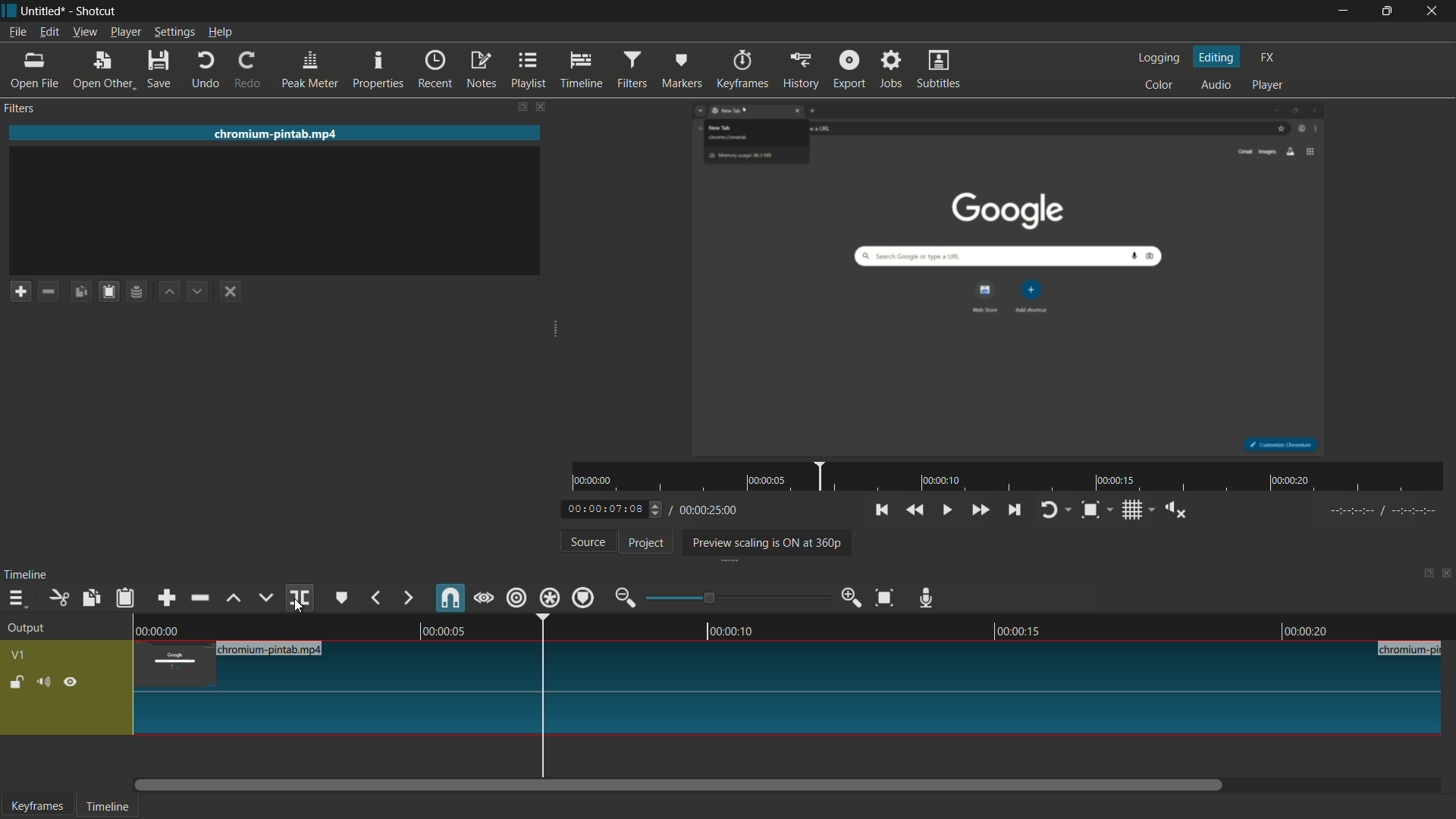  What do you see at coordinates (105, 808) in the screenshot?
I see `timeline` at bounding box center [105, 808].